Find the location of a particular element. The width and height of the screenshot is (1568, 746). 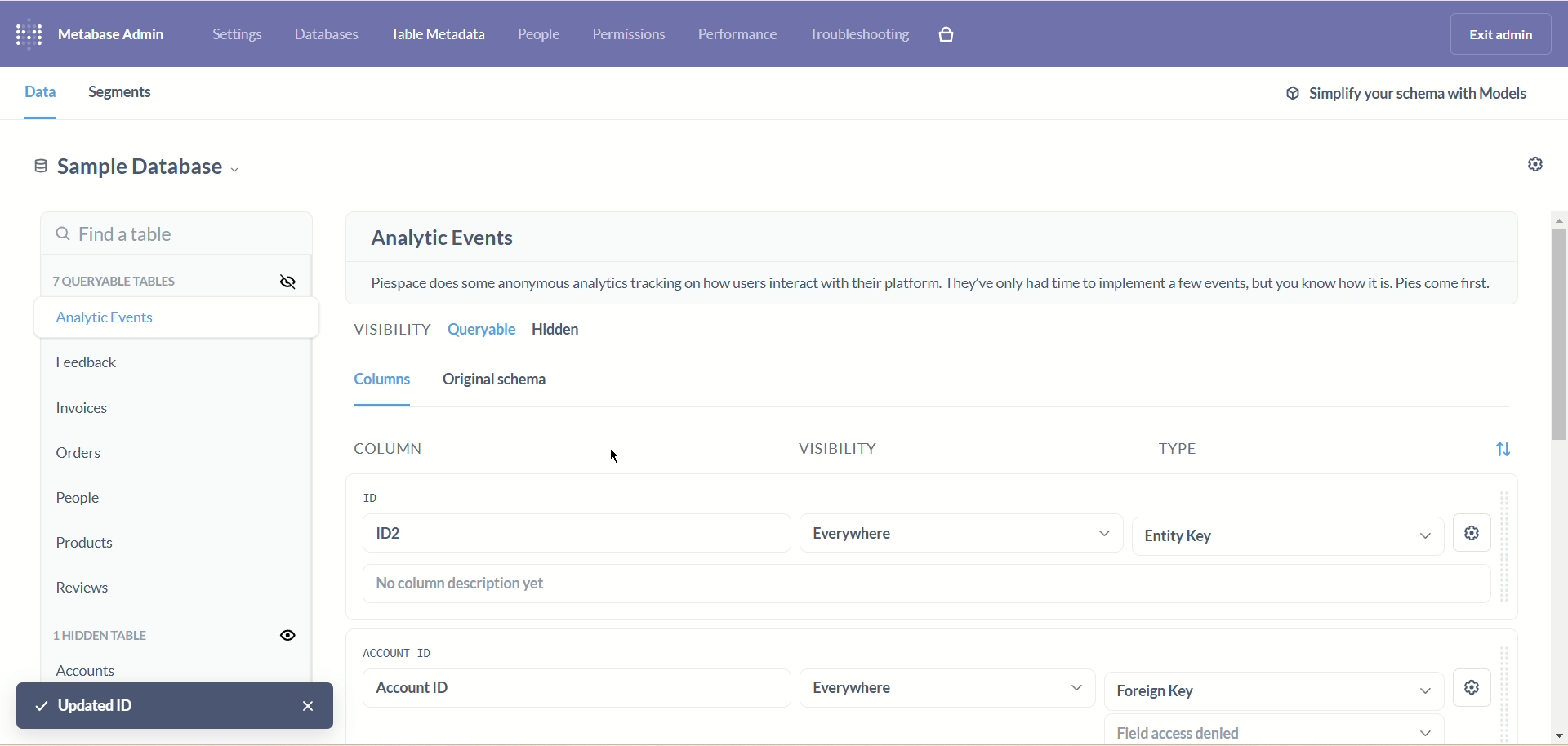

Analytic events is located at coordinates (110, 323).